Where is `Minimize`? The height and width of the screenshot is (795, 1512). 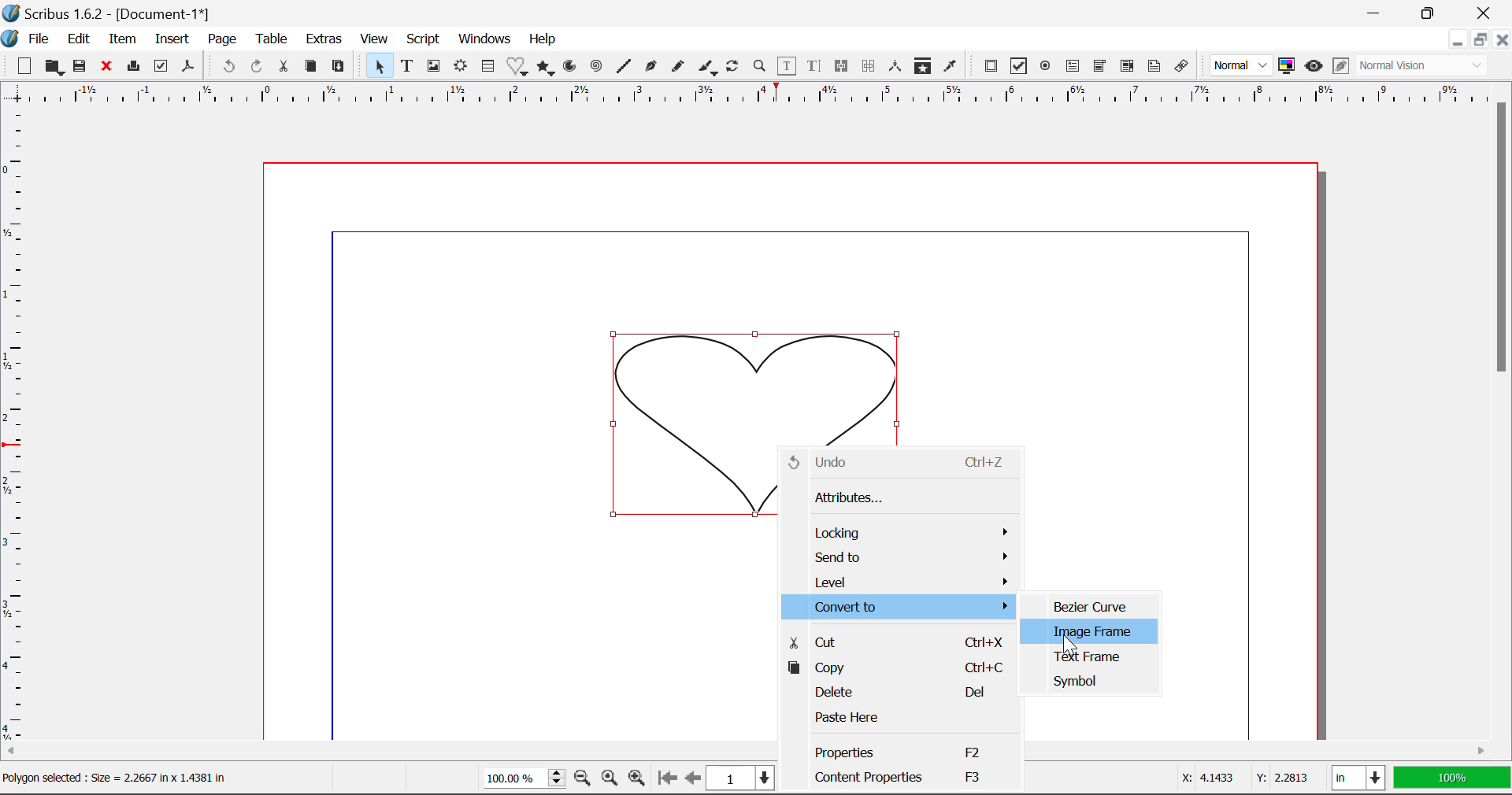
Minimize is located at coordinates (1482, 42).